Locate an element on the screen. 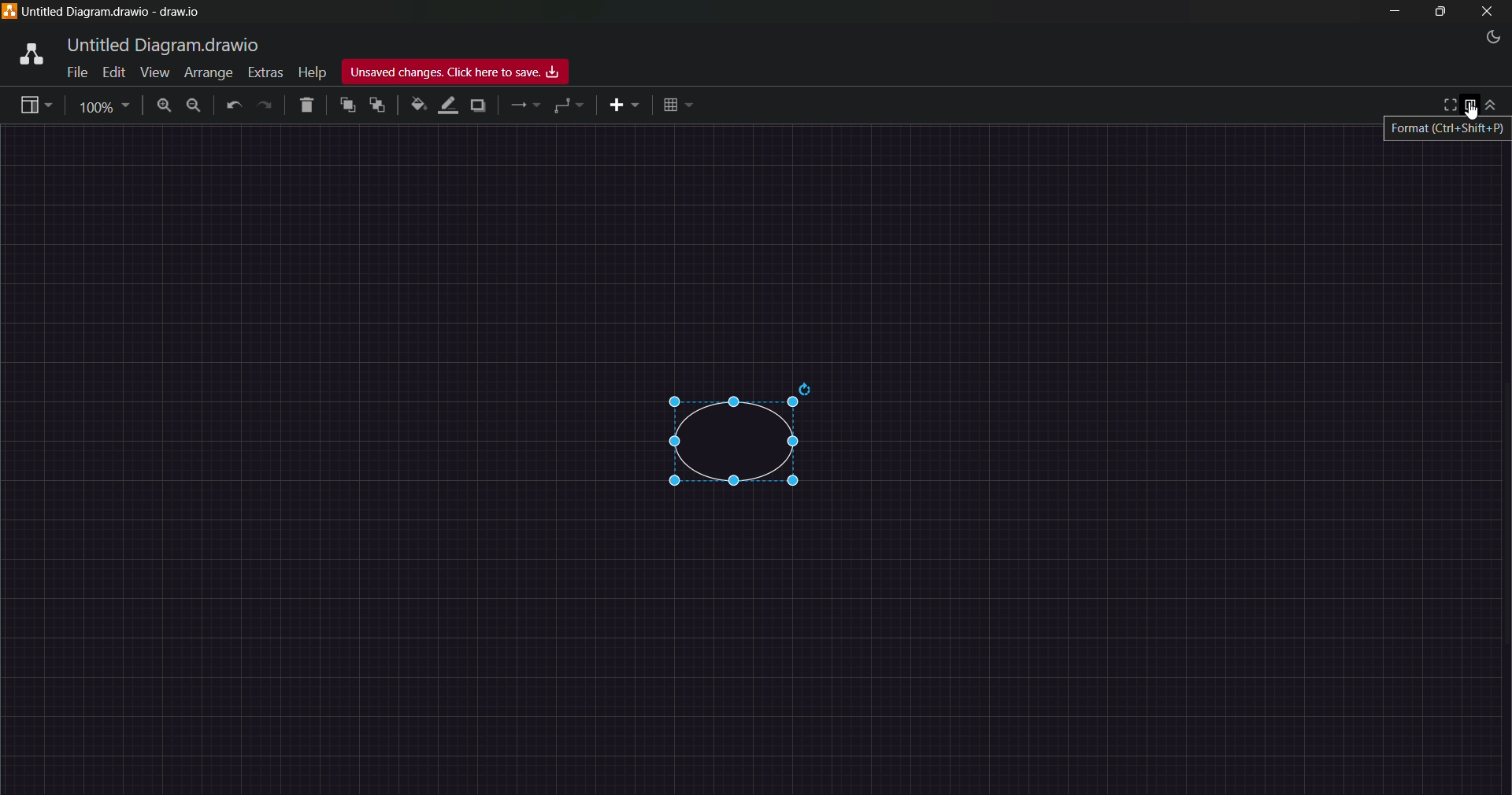 This screenshot has width=1512, height=795. theme is located at coordinates (1496, 38).